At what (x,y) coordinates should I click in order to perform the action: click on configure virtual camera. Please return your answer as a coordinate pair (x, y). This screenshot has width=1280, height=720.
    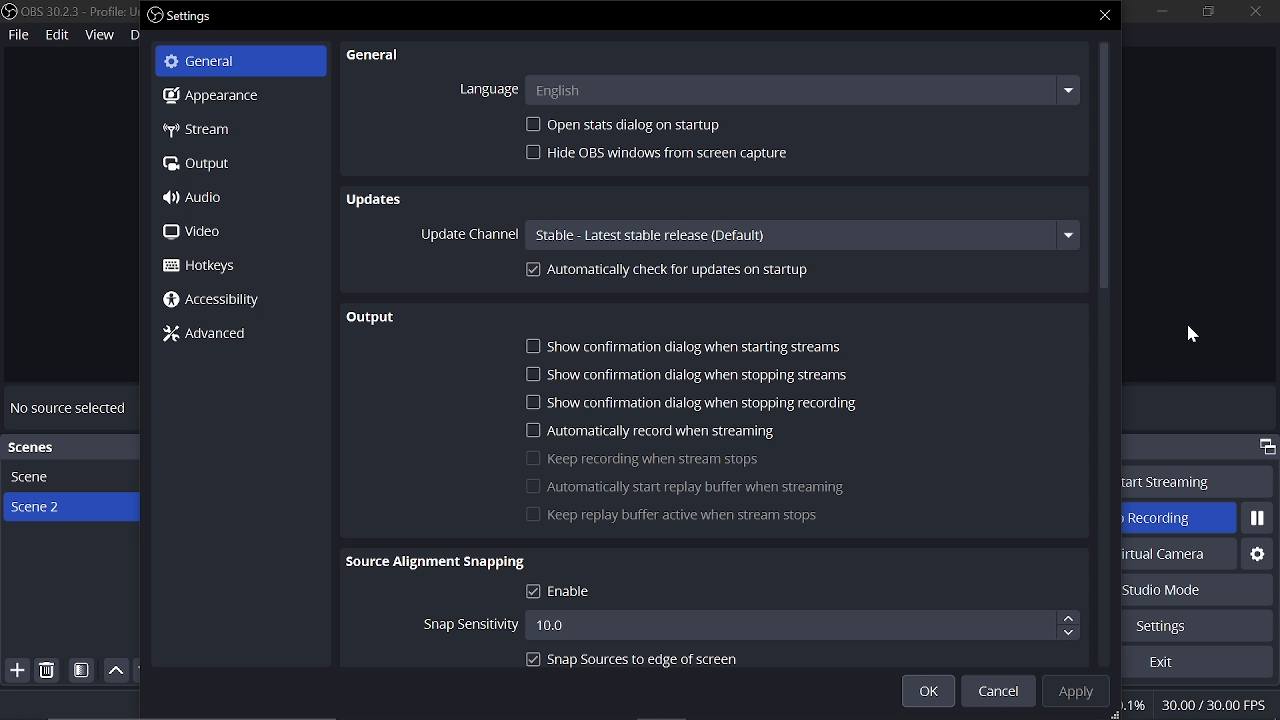
    Looking at the image, I should click on (1255, 553).